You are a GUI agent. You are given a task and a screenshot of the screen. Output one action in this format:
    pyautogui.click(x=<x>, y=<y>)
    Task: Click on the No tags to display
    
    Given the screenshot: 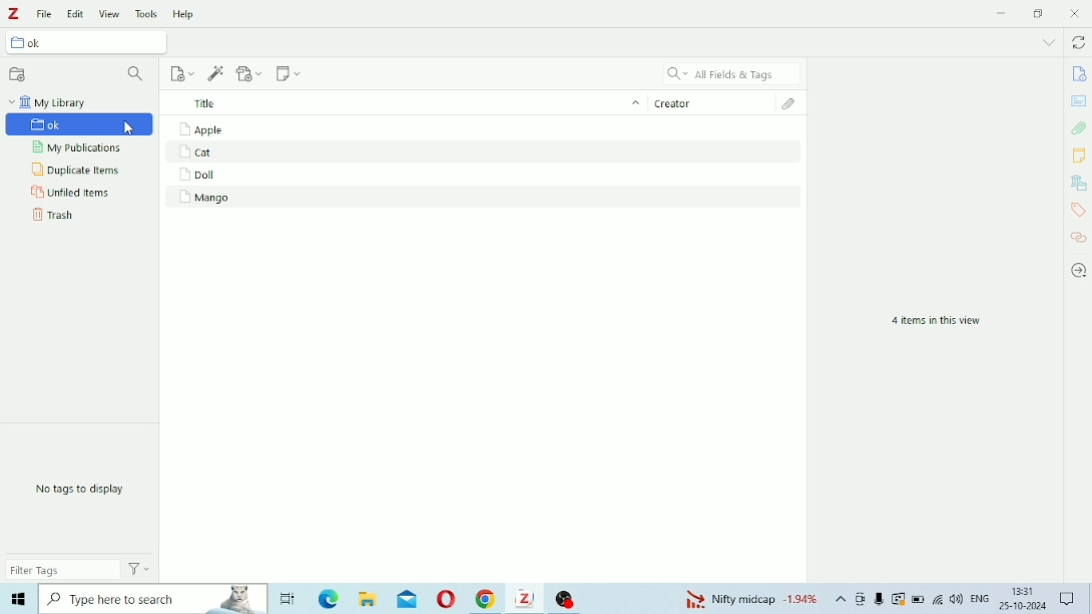 What is the action you would take?
    pyautogui.click(x=83, y=489)
    